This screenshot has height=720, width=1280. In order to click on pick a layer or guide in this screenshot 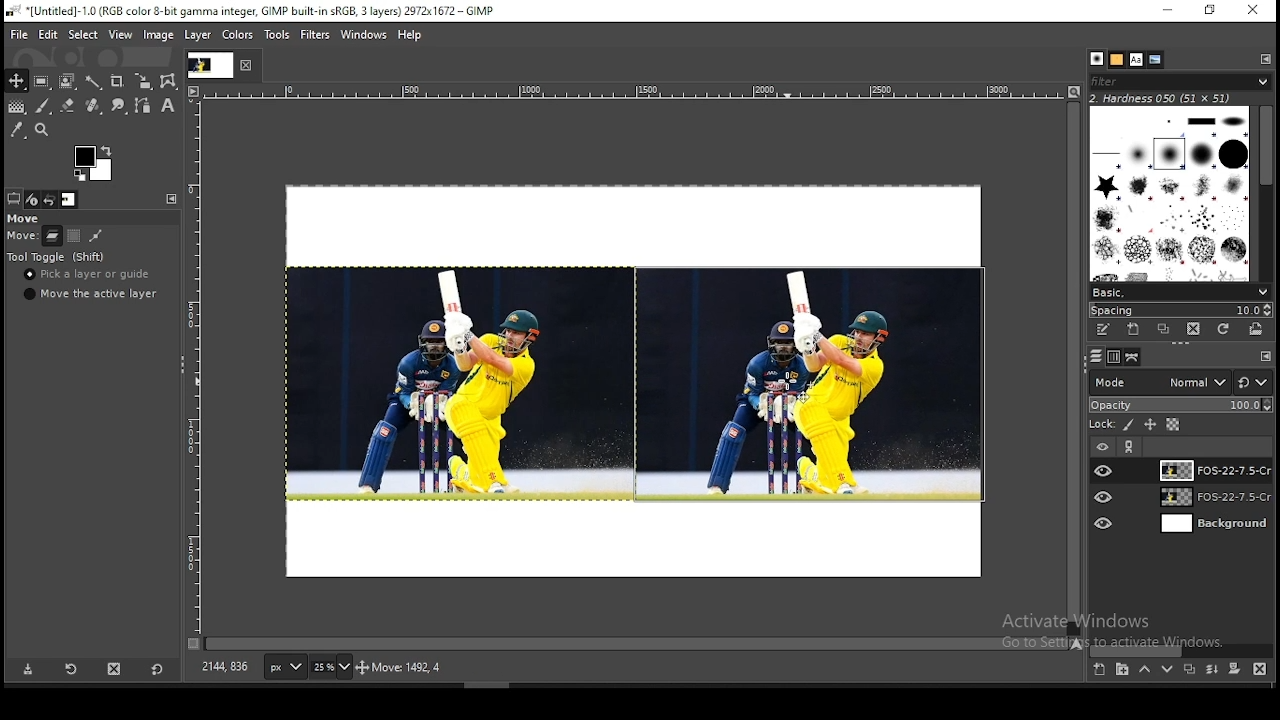, I will do `click(89, 276)`.